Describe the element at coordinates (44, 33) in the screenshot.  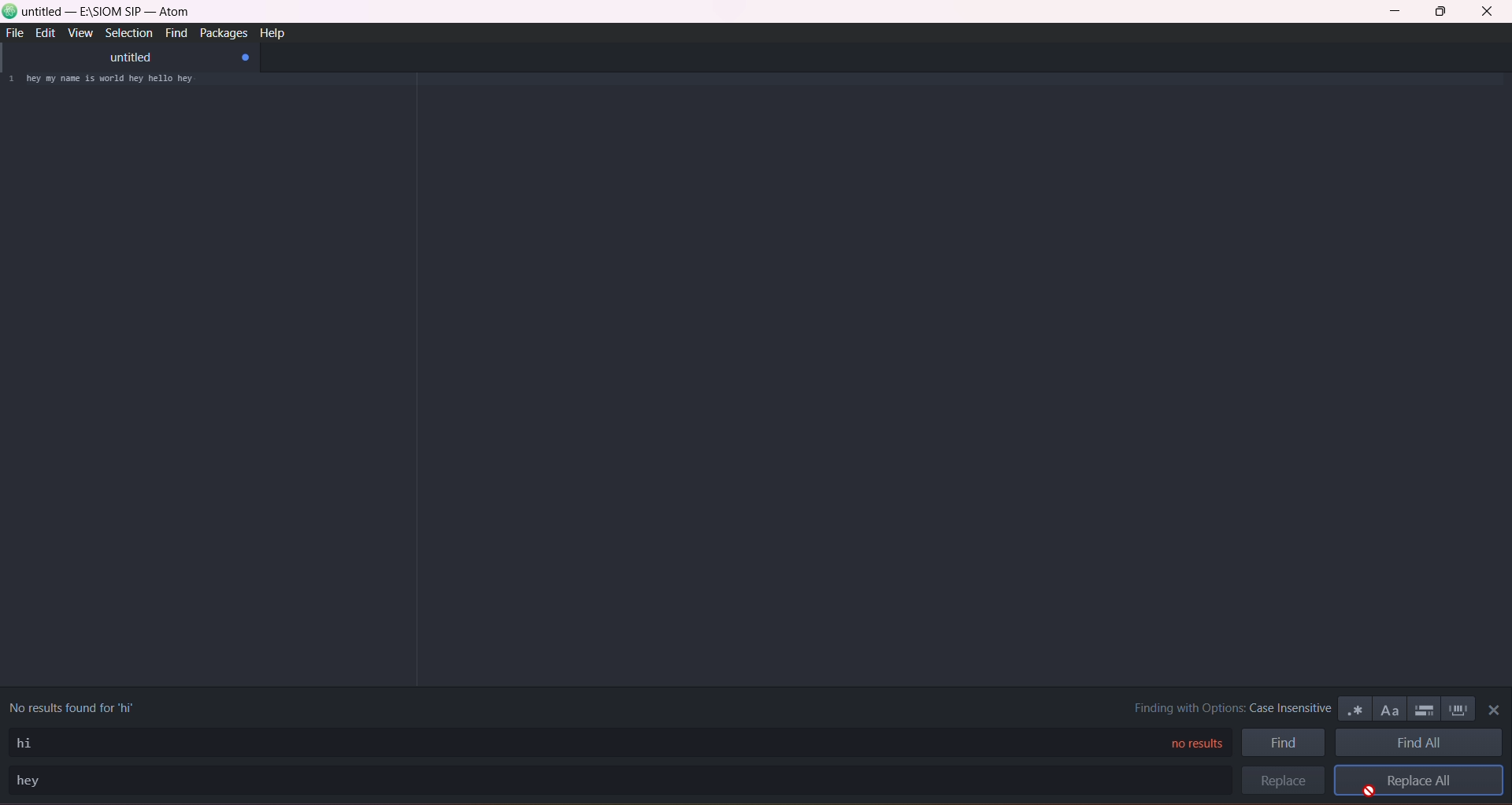
I see `edit` at that location.